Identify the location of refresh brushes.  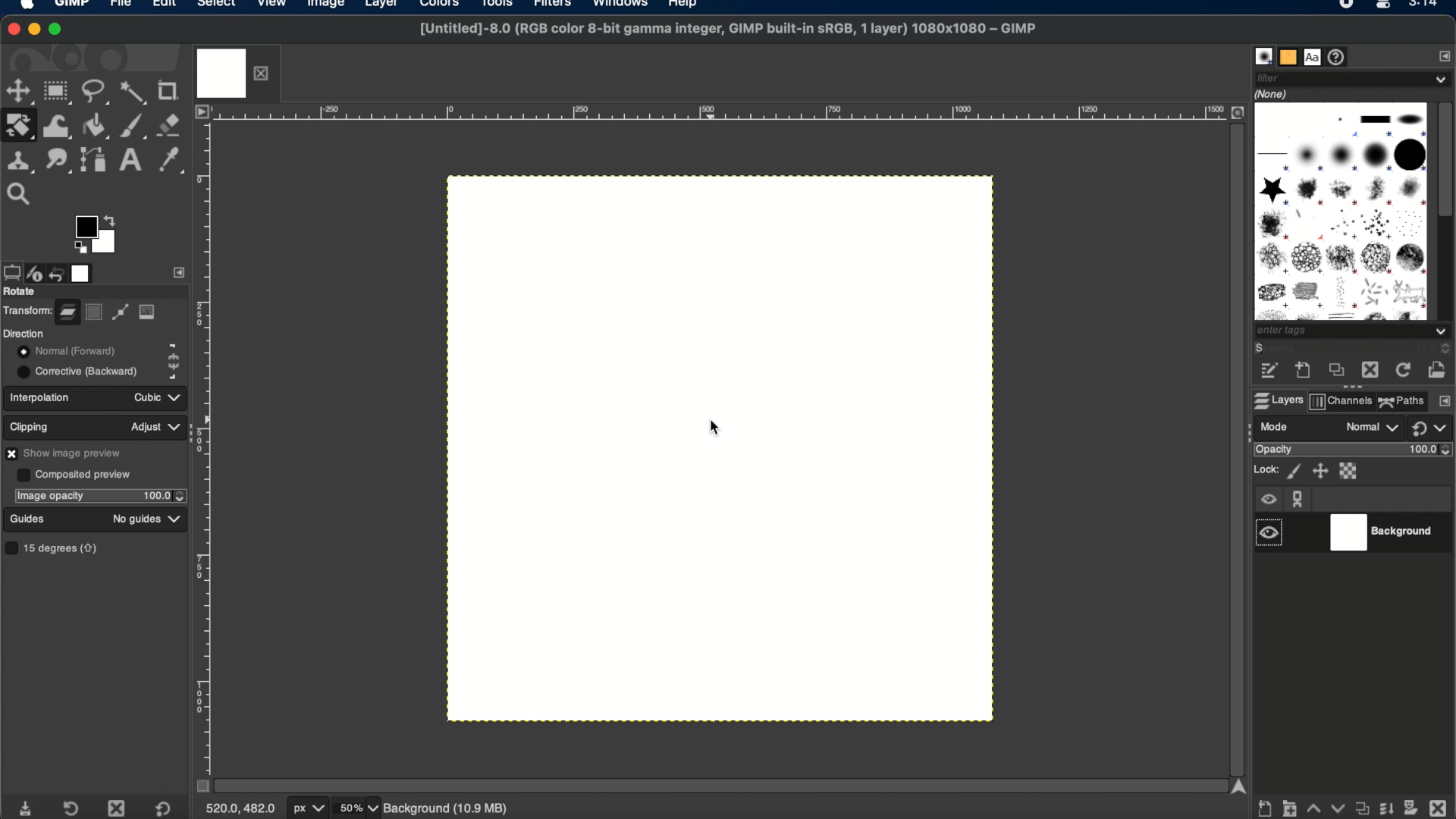
(1401, 371).